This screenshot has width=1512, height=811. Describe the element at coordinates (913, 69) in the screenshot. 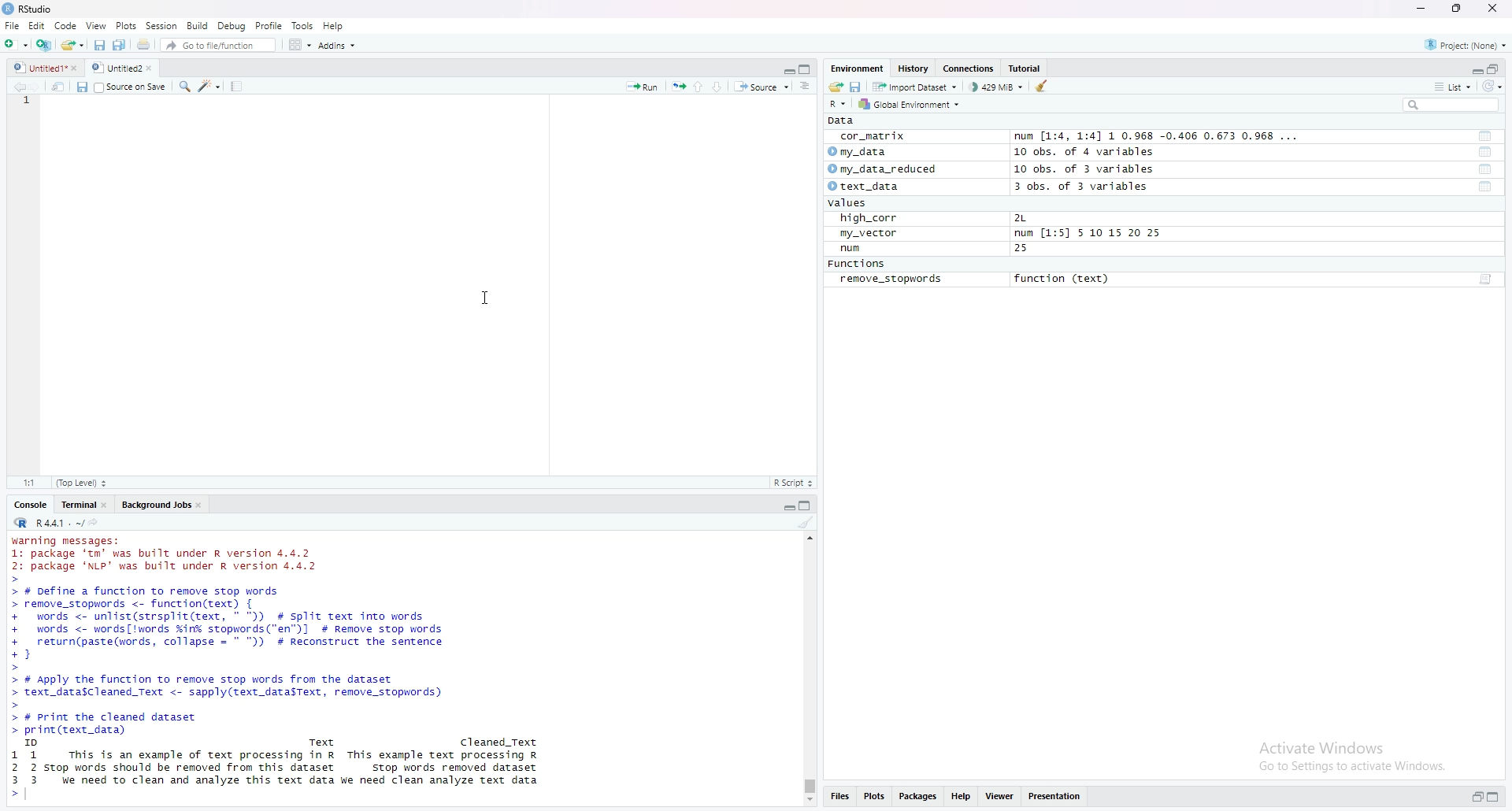

I see `History` at that location.